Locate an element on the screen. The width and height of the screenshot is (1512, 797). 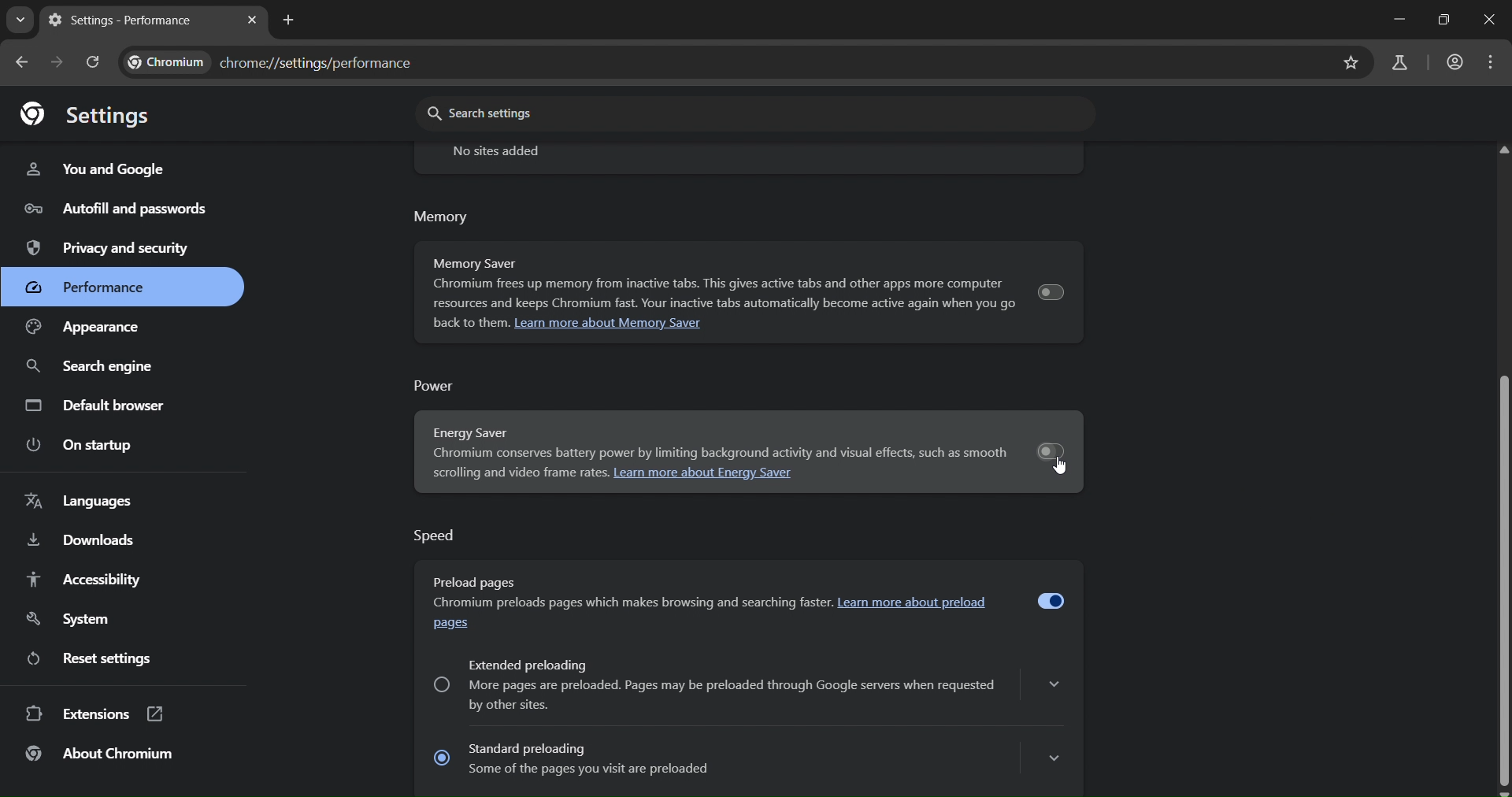
pages is located at coordinates (451, 625).